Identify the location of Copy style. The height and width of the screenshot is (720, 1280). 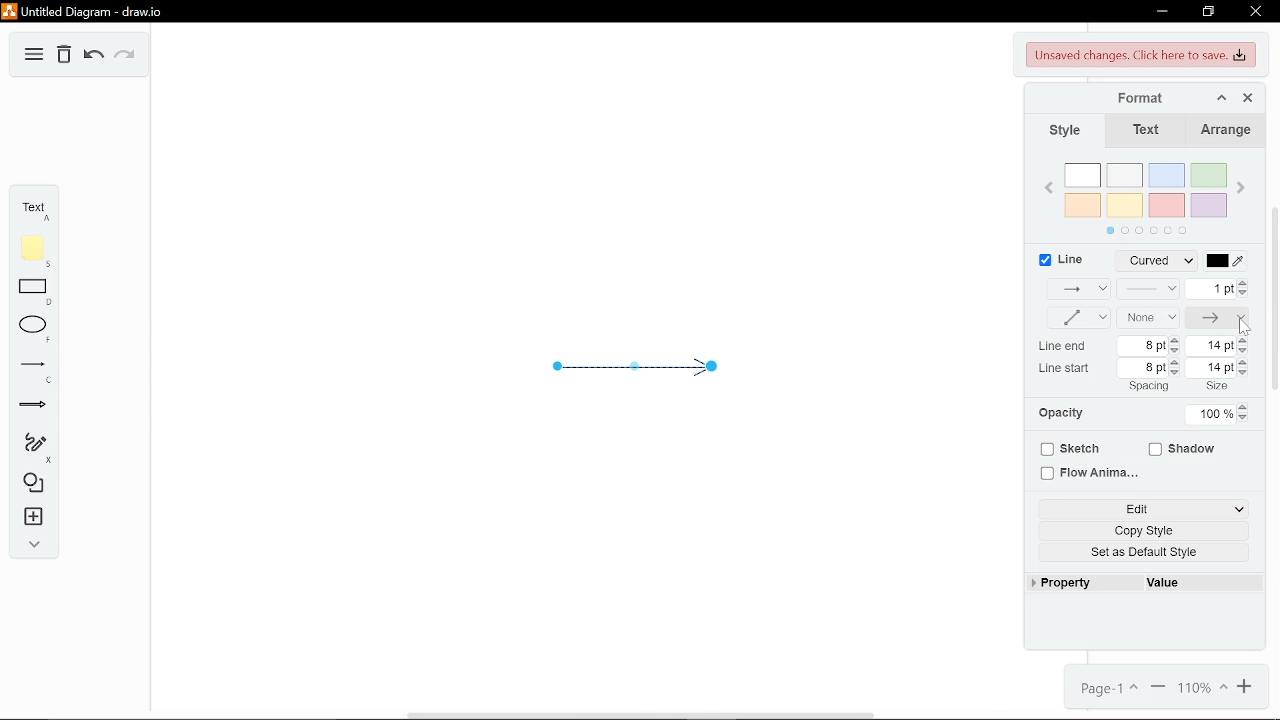
(1142, 532).